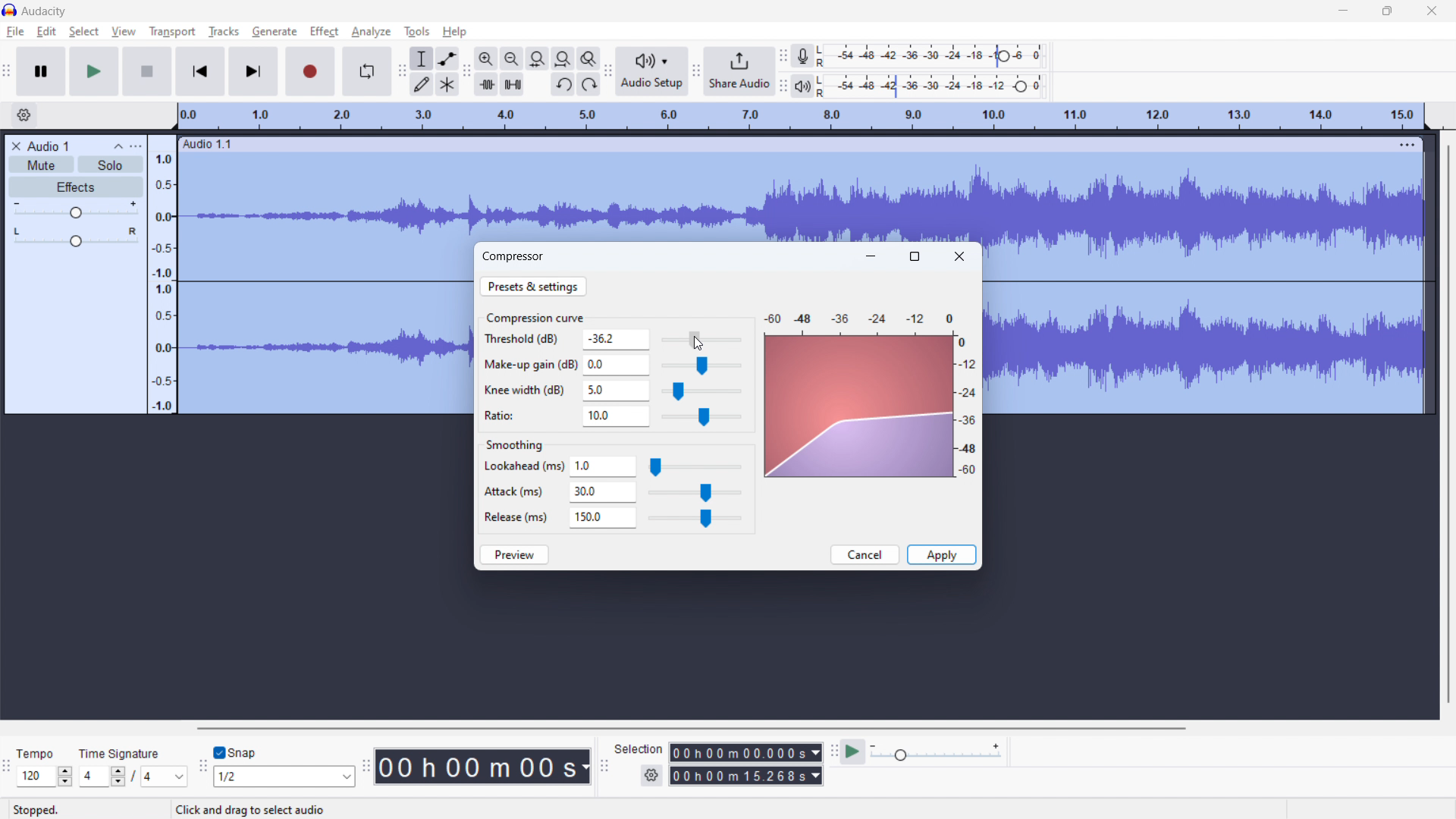  What do you see at coordinates (526, 391) in the screenshot?
I see ` Knee width (dB)` at bounding box center [526, 391].